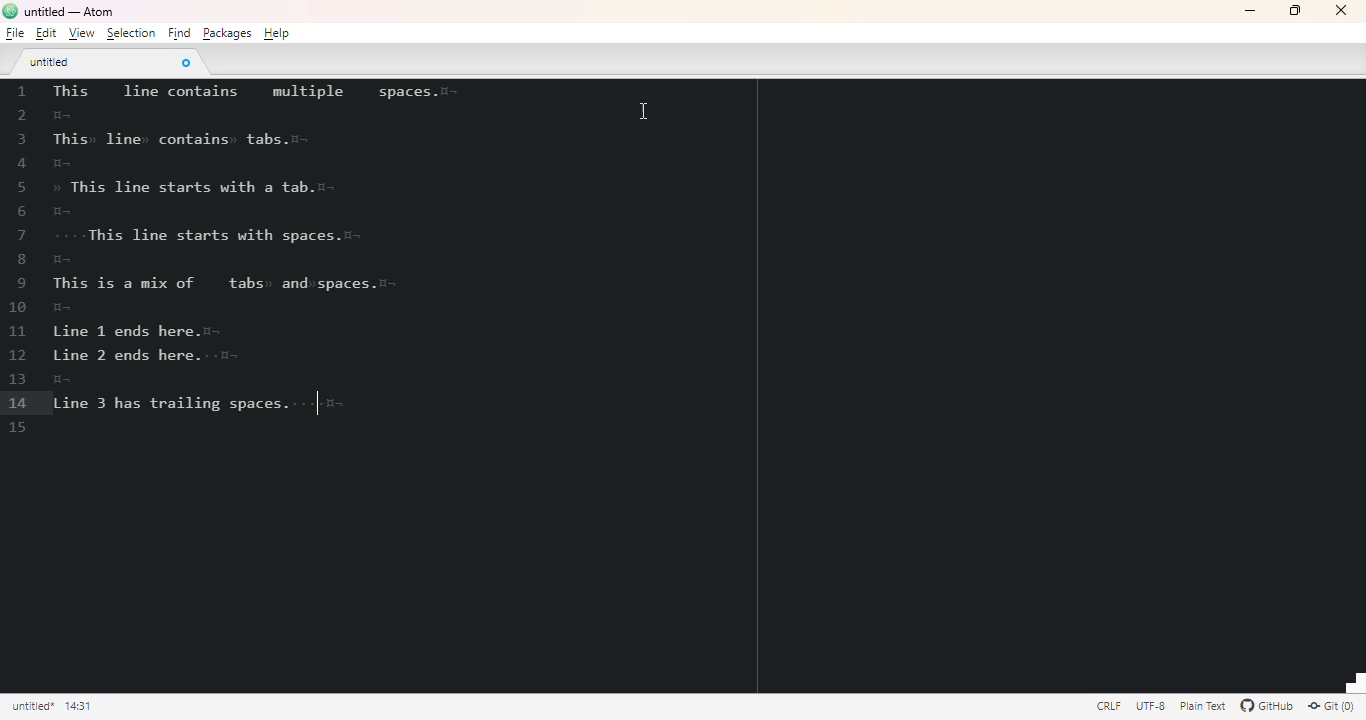  I want to click on file uses the plain text grammar, so click(1205, 706).